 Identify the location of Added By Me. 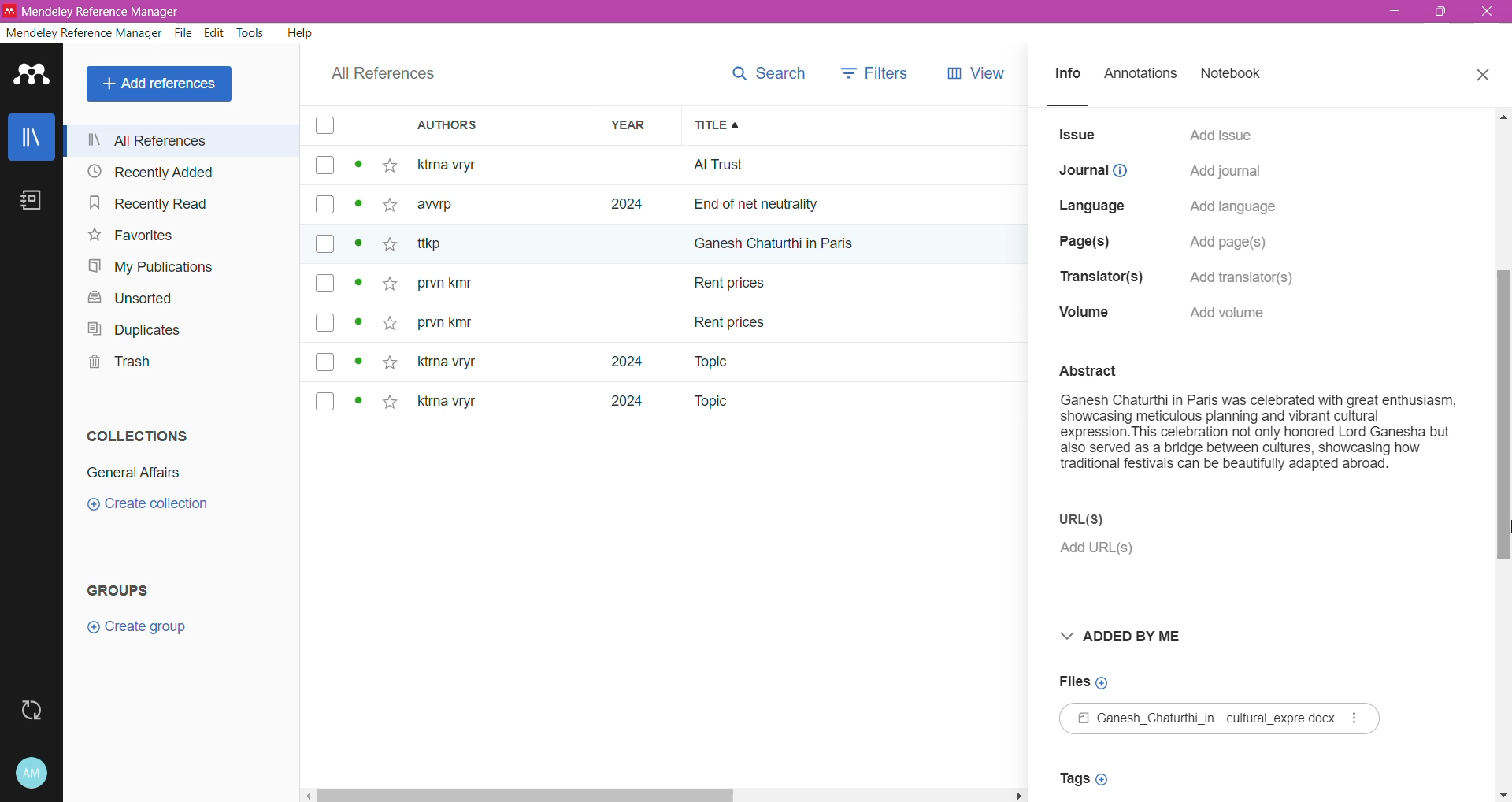
(1136, 637).